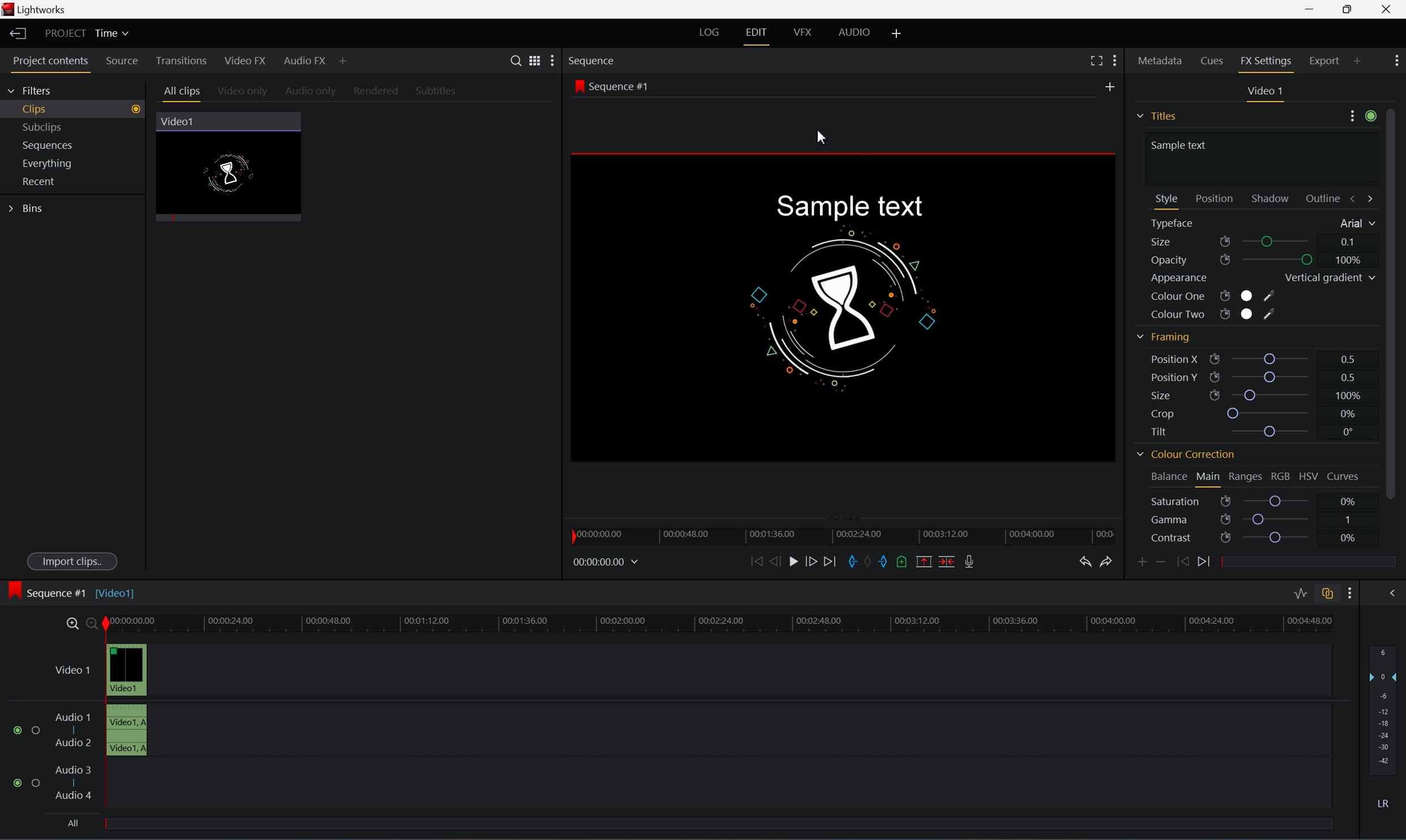 Image resolution: width=1406 pixels, height=840 pixels. Describe the element at coordinates (1181, 561) in the screenshot. I see `previous` at that location.